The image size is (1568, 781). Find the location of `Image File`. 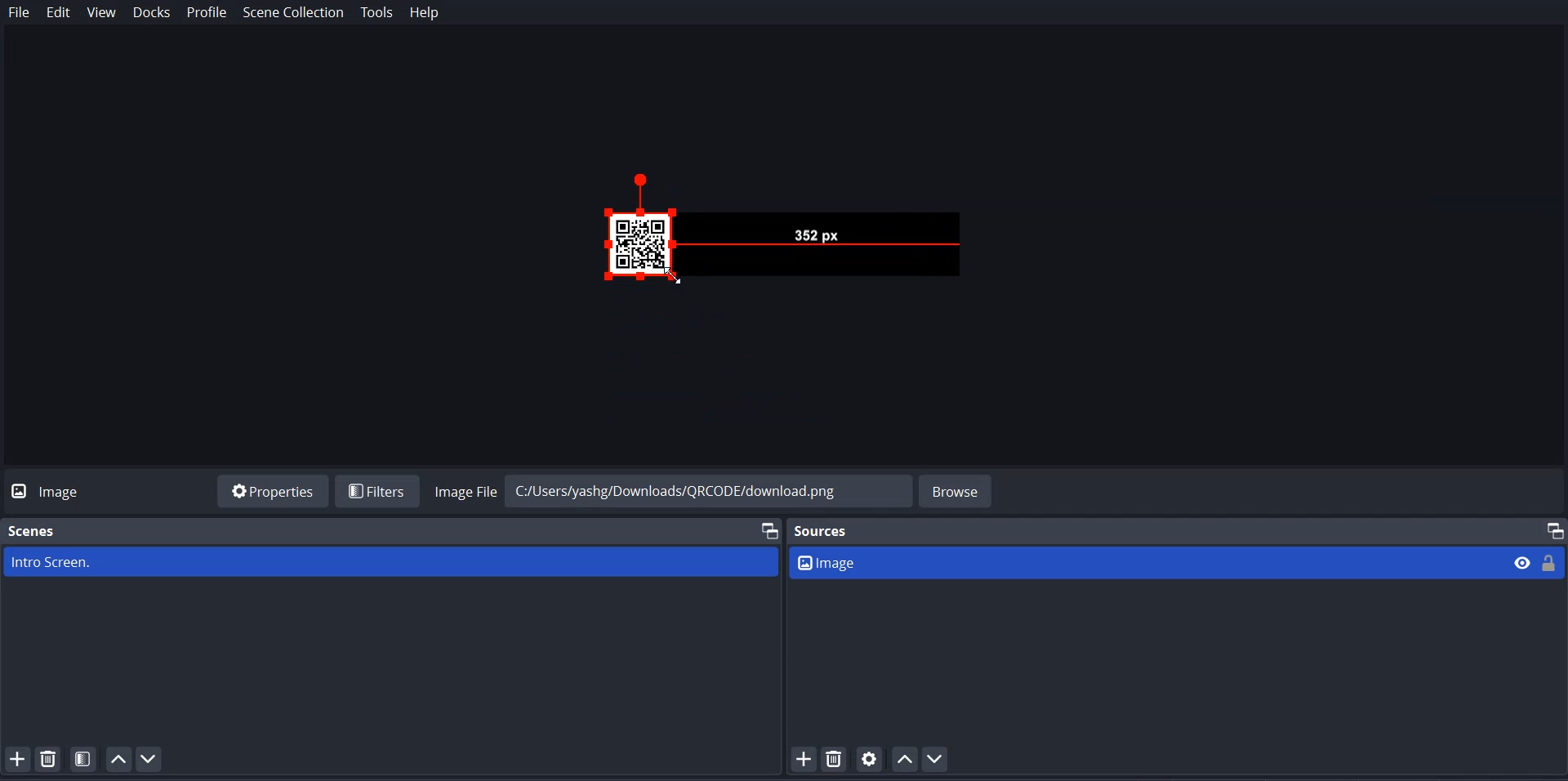

Image File is located at coordinates (465, 489).